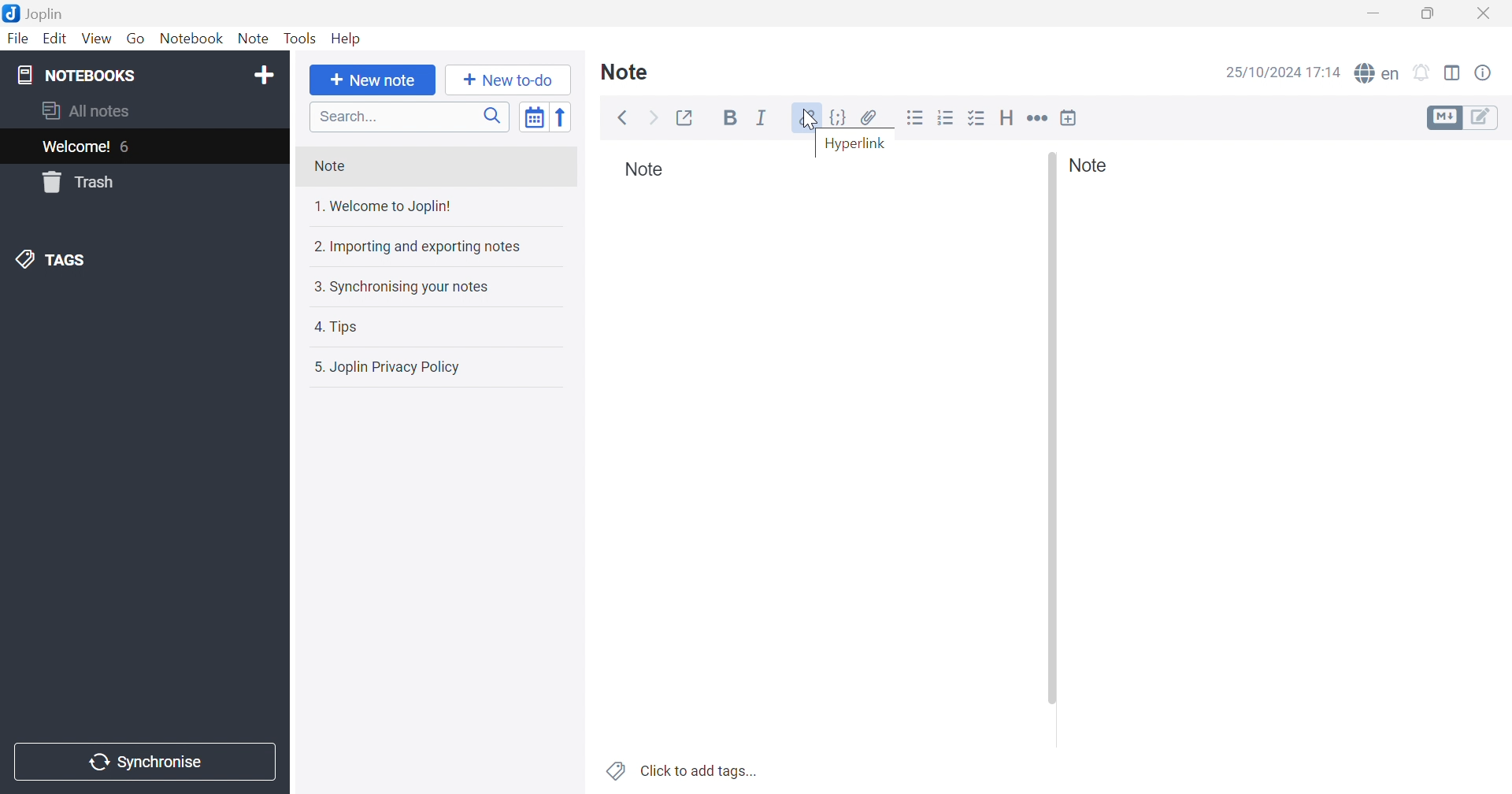 This screenshot has height=794, width=1512. Describe the element at coordinates (435, 168) in the screenshot. I see `Note` at that location.